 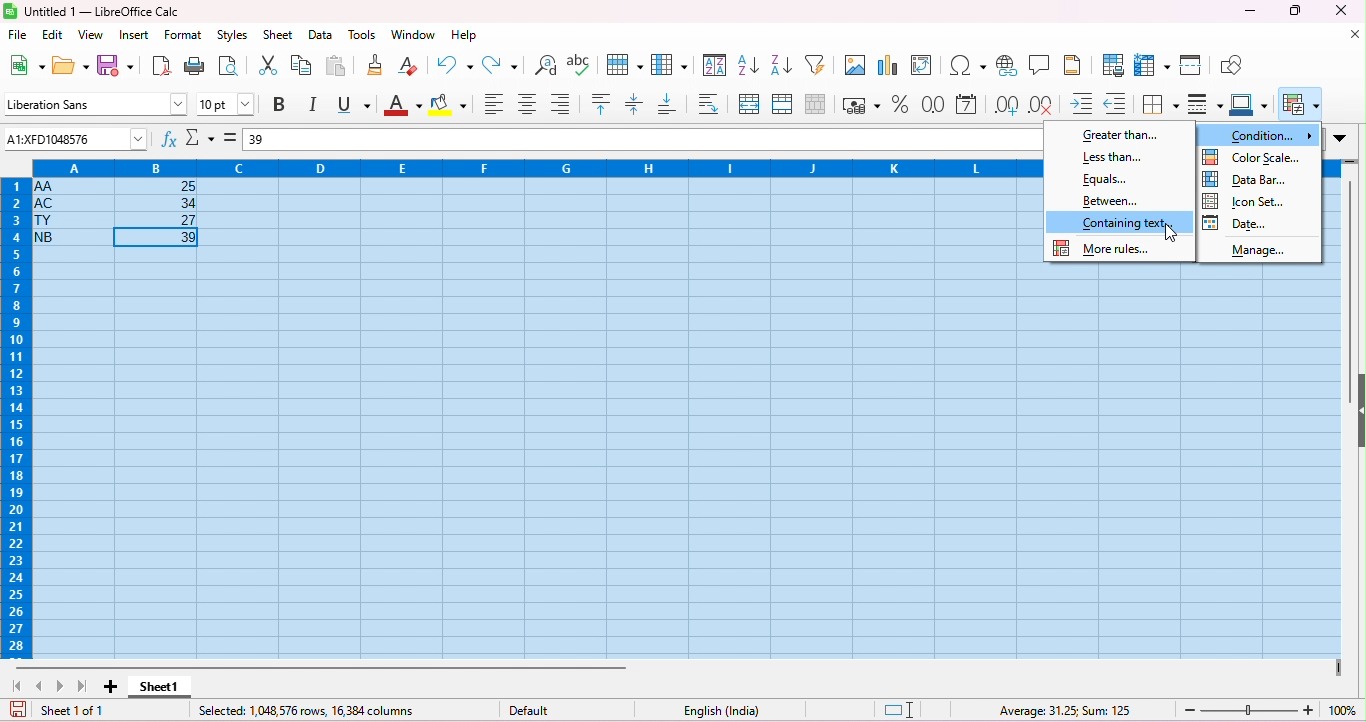 What do you see at coordinates (74, 711) in the screenshot?
I see `sheet 1 of 1` at bounding box center [74, 711].